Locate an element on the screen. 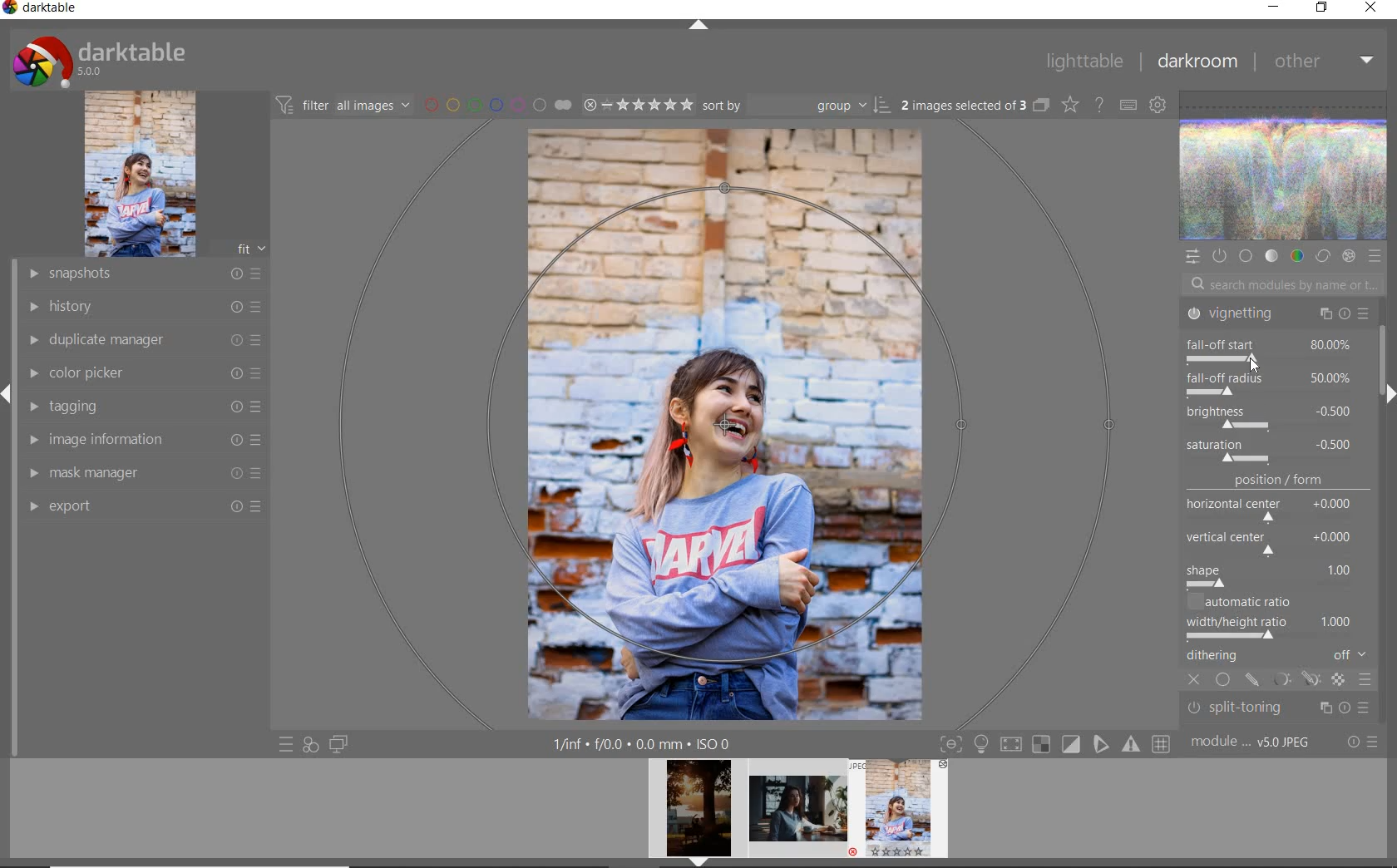  SELECTED IMAGES is located at coordinates (964, 102).